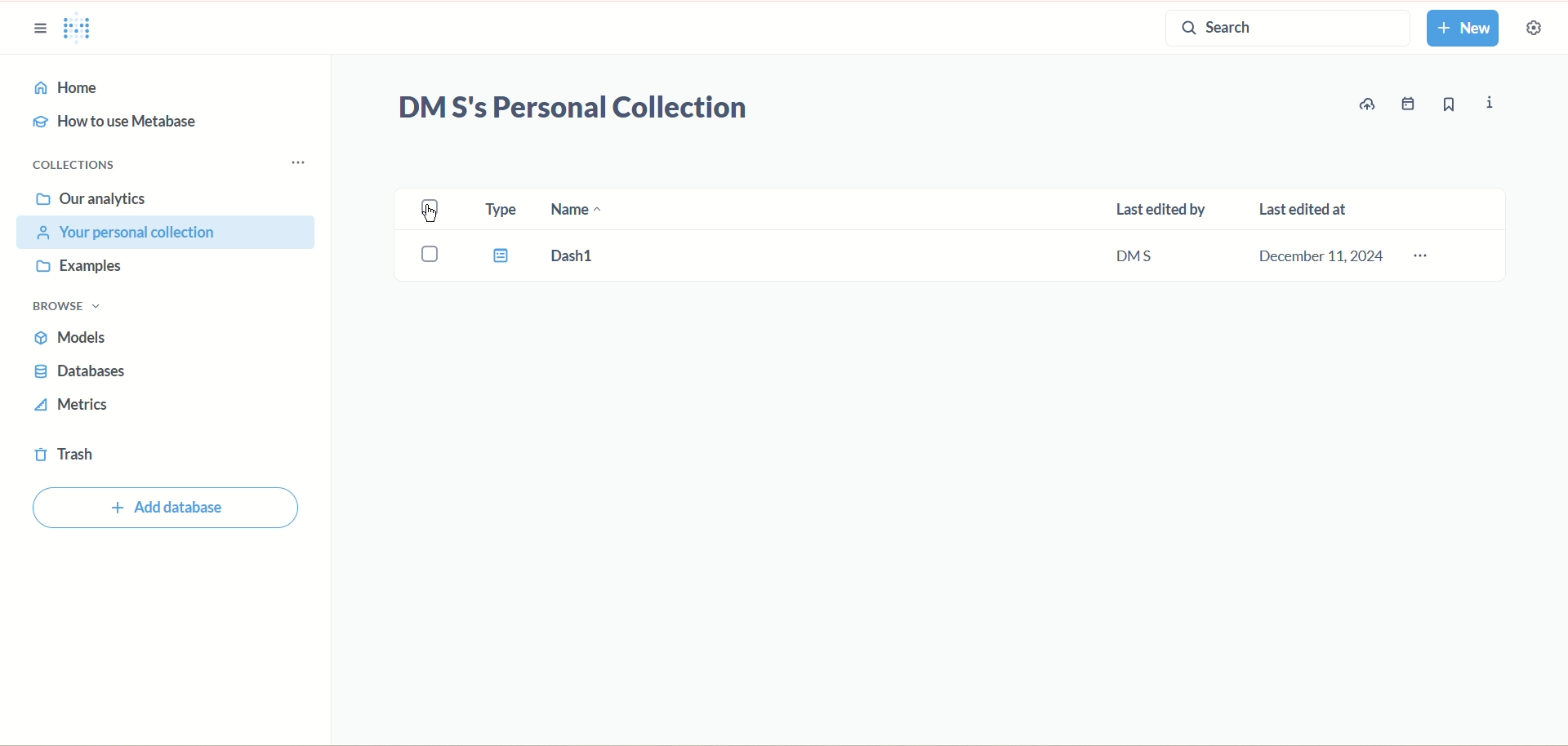  Describe the element at coordinates (1532, 28) in the screenshot. I see `settings` at that location.